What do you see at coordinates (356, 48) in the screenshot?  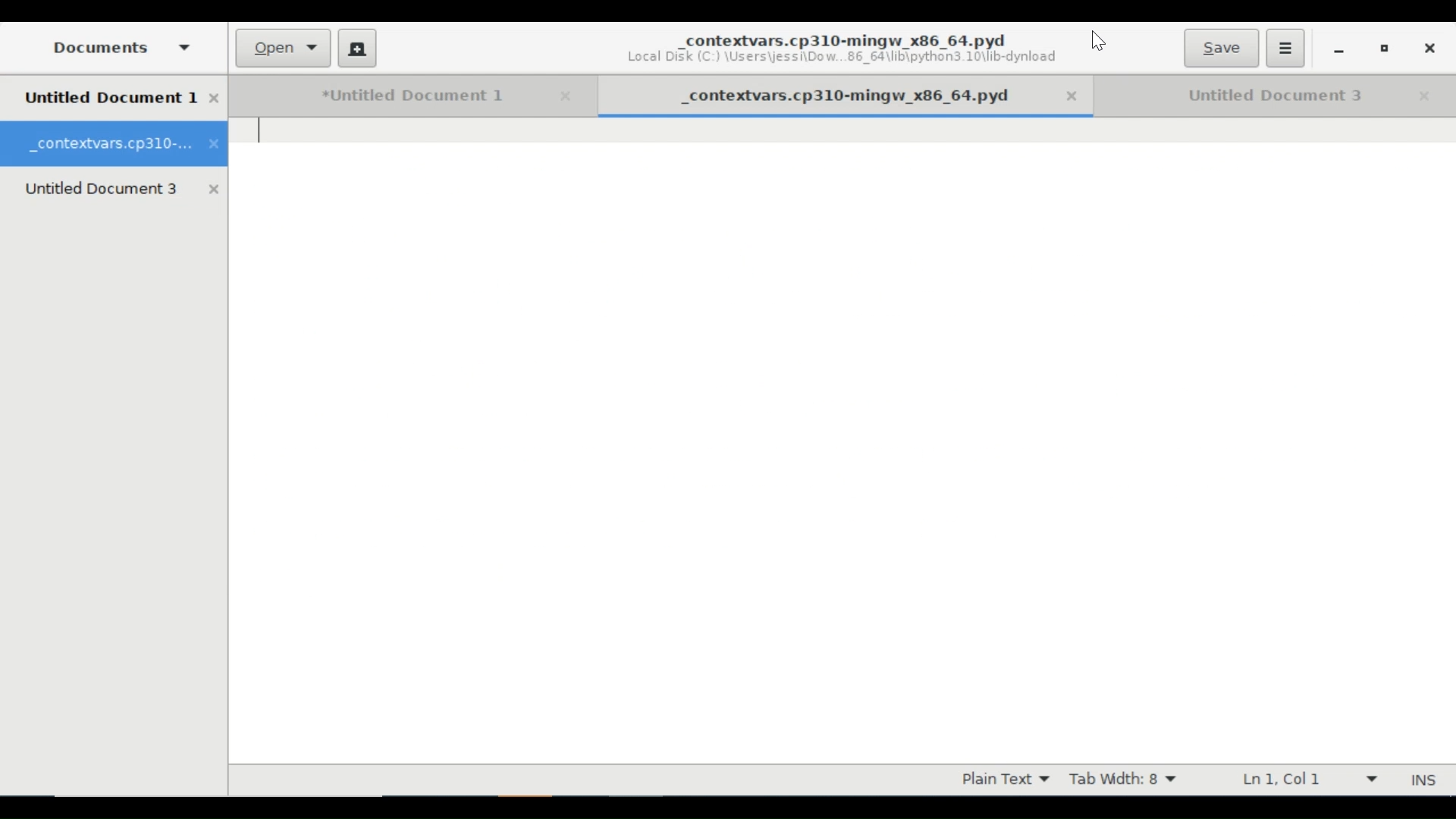 I see `New File` at bounding box center [356, 48].